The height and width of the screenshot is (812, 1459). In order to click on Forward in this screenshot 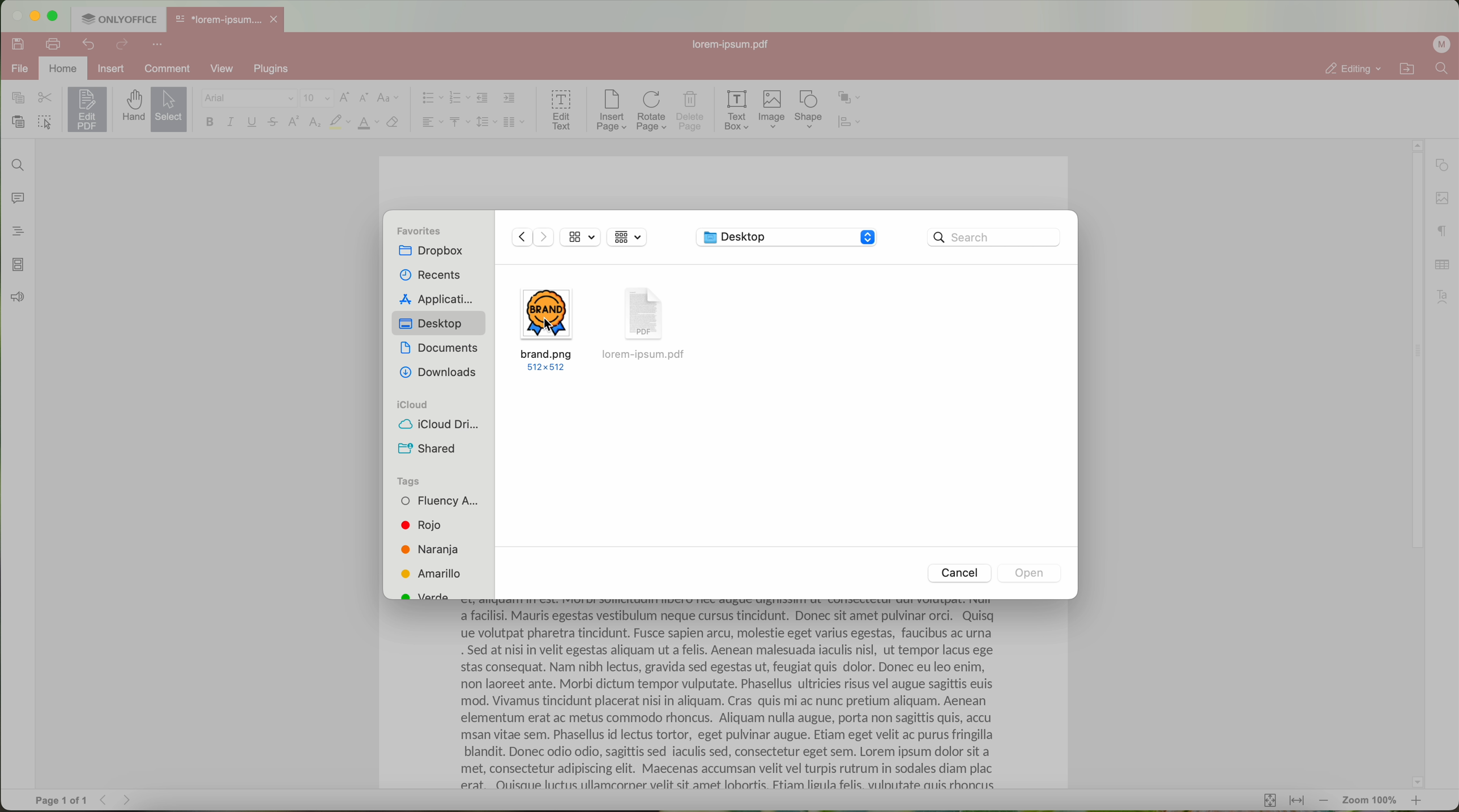, I will do `click(131, 800)`.